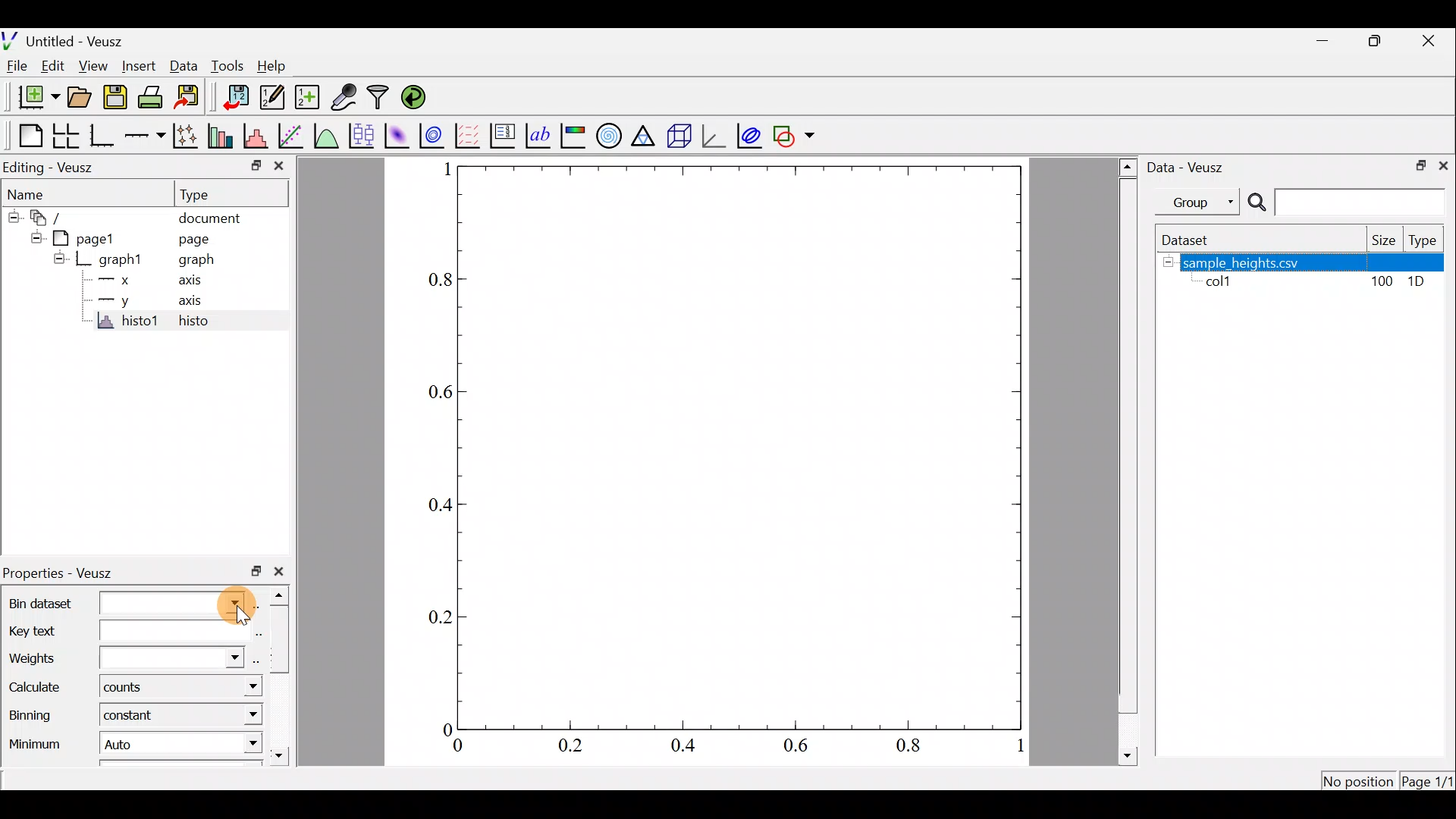 The width and height of the screenshot is (1456, 819). What do you see at coordinates (256, 573) in the screenshot?
I see `restore down` at bounding box center [256, 573].